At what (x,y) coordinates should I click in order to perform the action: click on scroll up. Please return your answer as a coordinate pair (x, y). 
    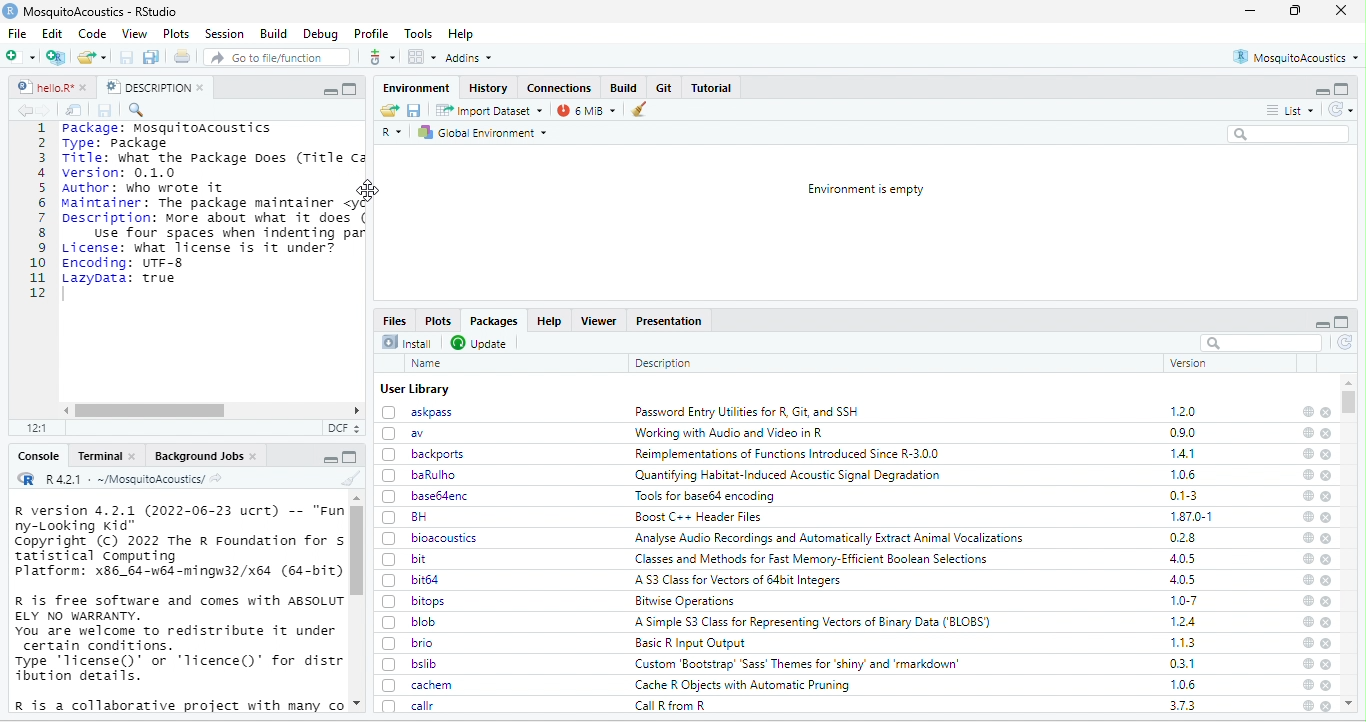
    Looking at the image, I should click on (357, 497).